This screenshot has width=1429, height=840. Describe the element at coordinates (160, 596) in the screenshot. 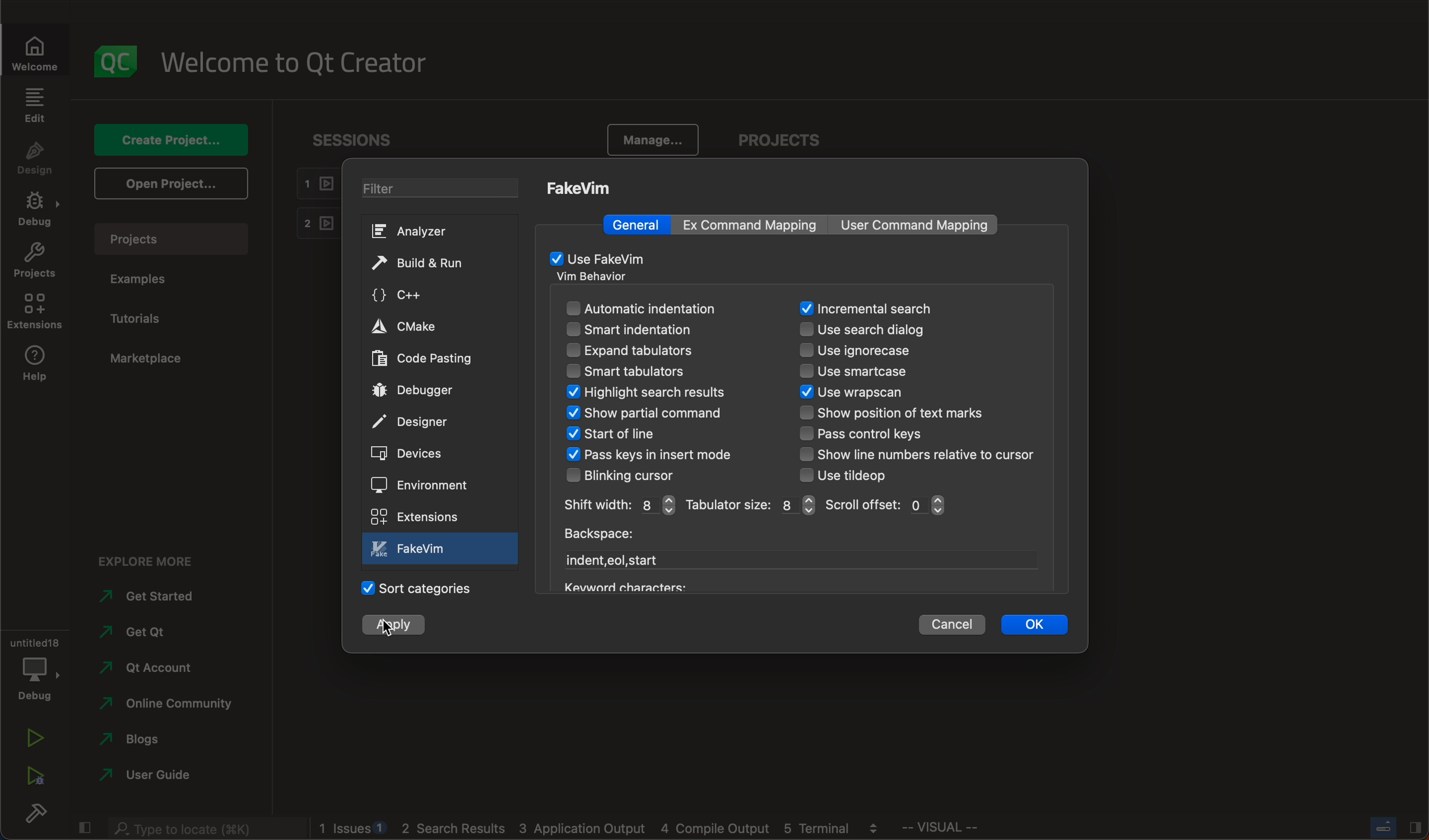

I see `started` at that location.